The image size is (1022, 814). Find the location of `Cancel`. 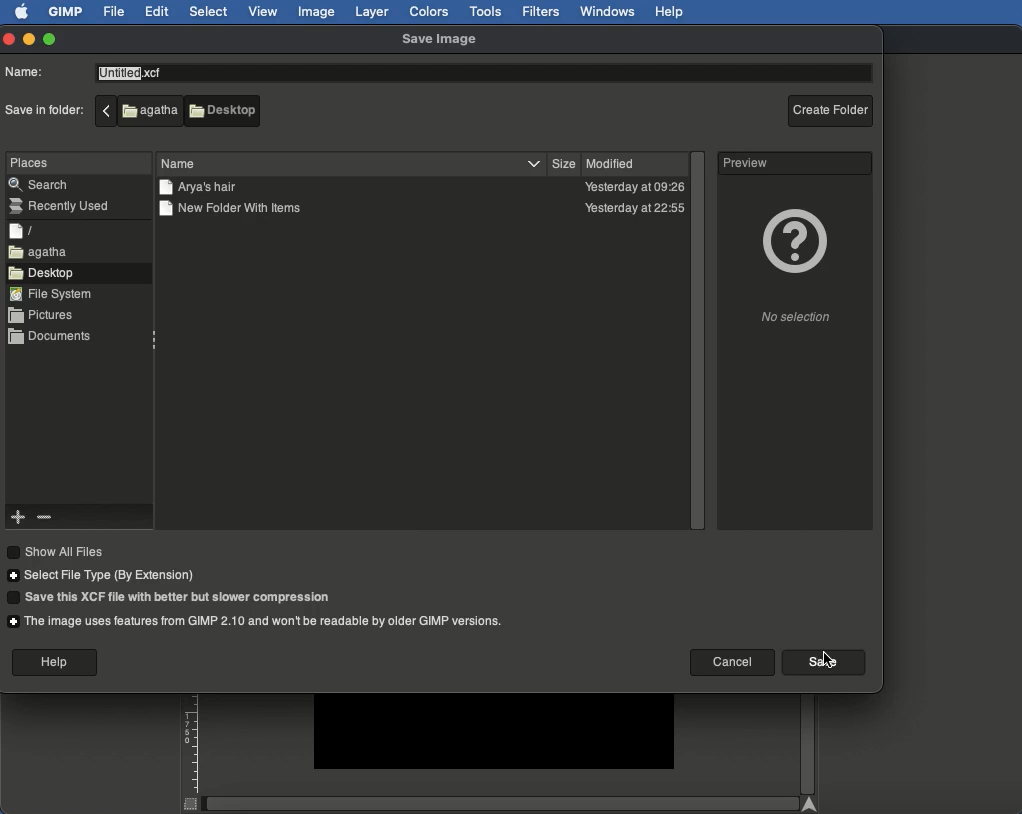

Cancel is located at coordinates (730, 661).